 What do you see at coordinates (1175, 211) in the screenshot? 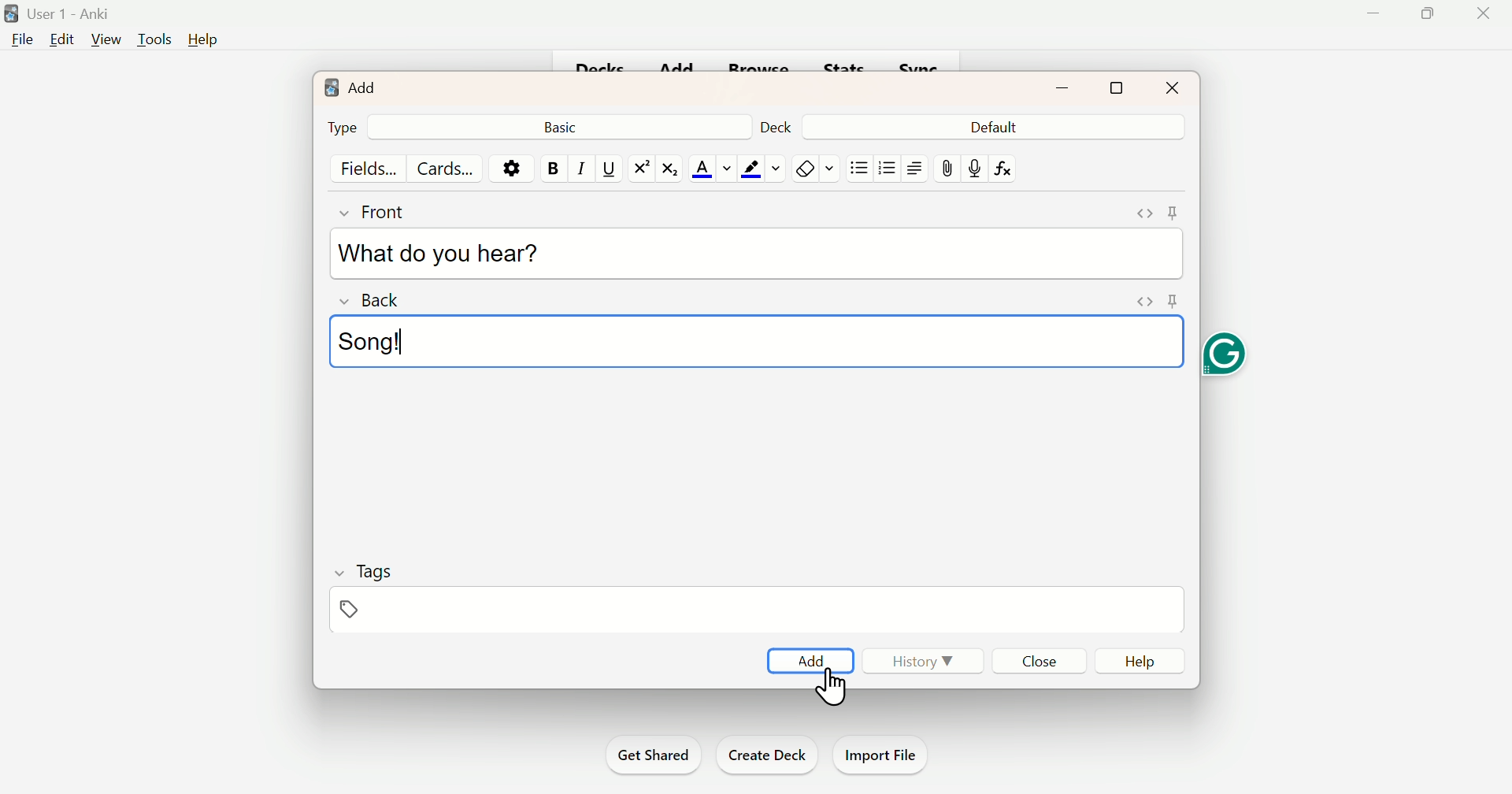
I see `pin` at bounding box center [1175, 211].